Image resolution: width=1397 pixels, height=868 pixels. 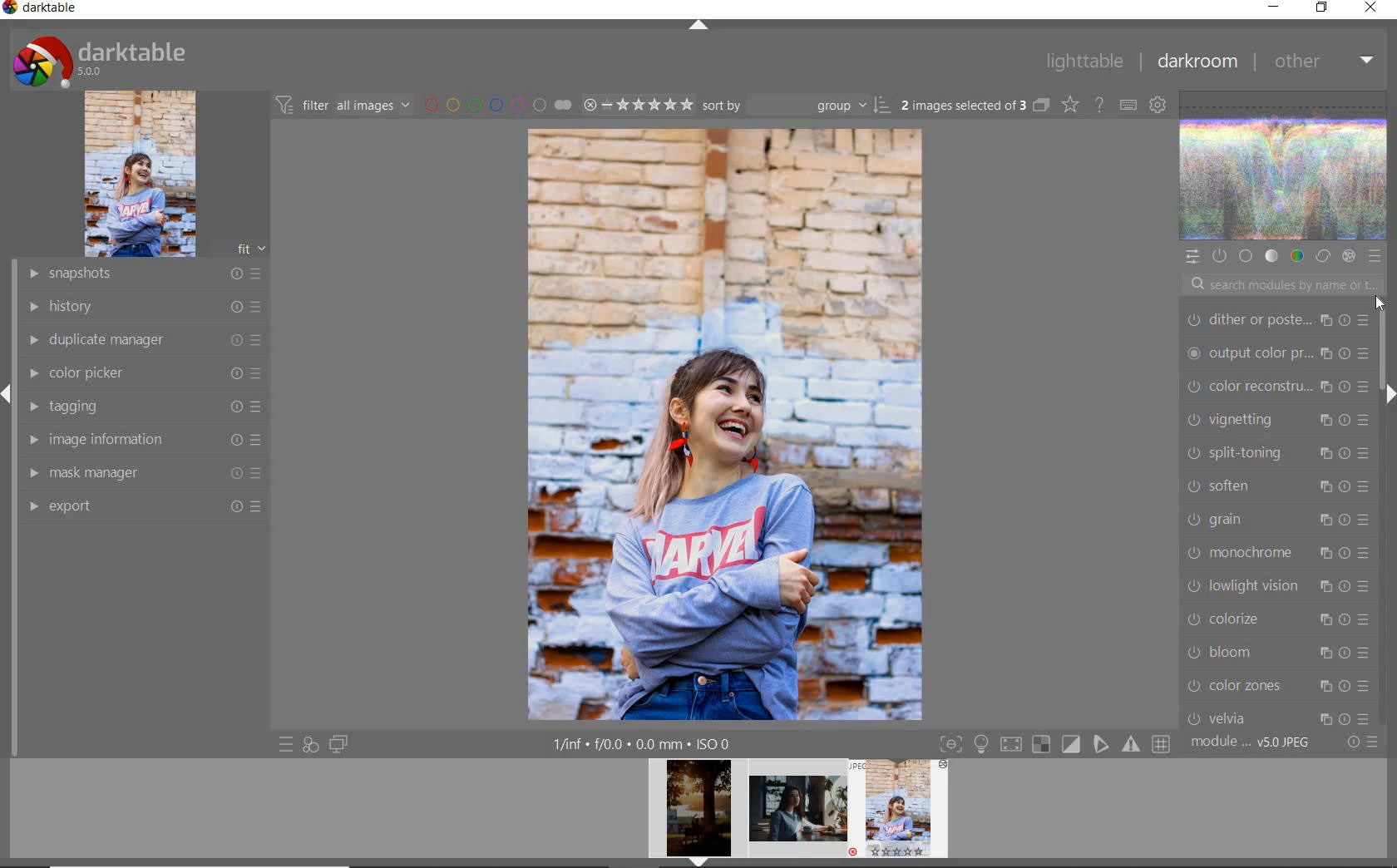 I want to click on SELECTED IMAGE RANGE RATING, so click(x=638, y=103).